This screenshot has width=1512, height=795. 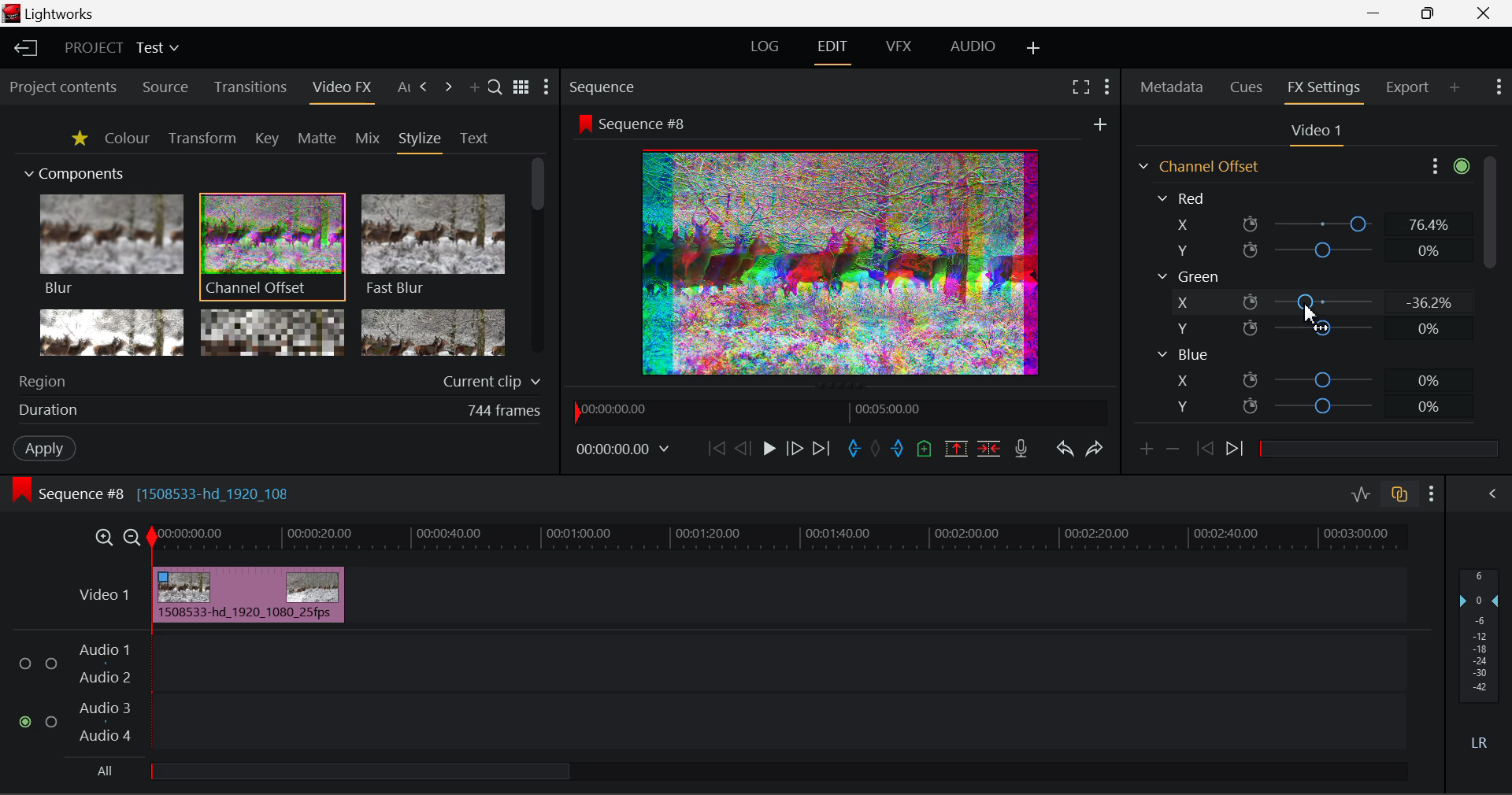 I want to click on Scroll Bar, so click(x=535, y=256).